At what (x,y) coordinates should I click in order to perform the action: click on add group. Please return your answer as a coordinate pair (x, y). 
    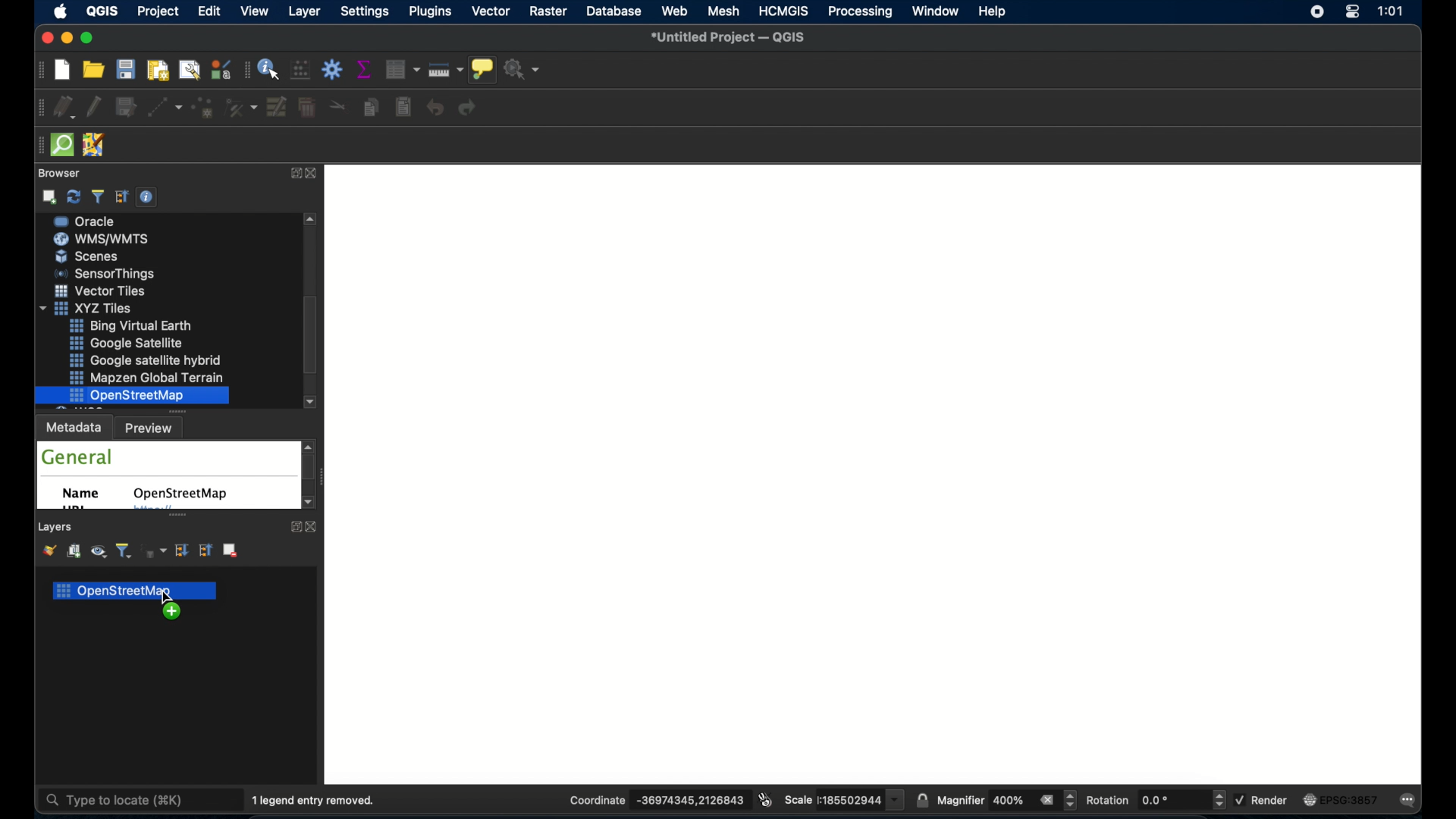
    Looking at the image, I should click on (72, 551).